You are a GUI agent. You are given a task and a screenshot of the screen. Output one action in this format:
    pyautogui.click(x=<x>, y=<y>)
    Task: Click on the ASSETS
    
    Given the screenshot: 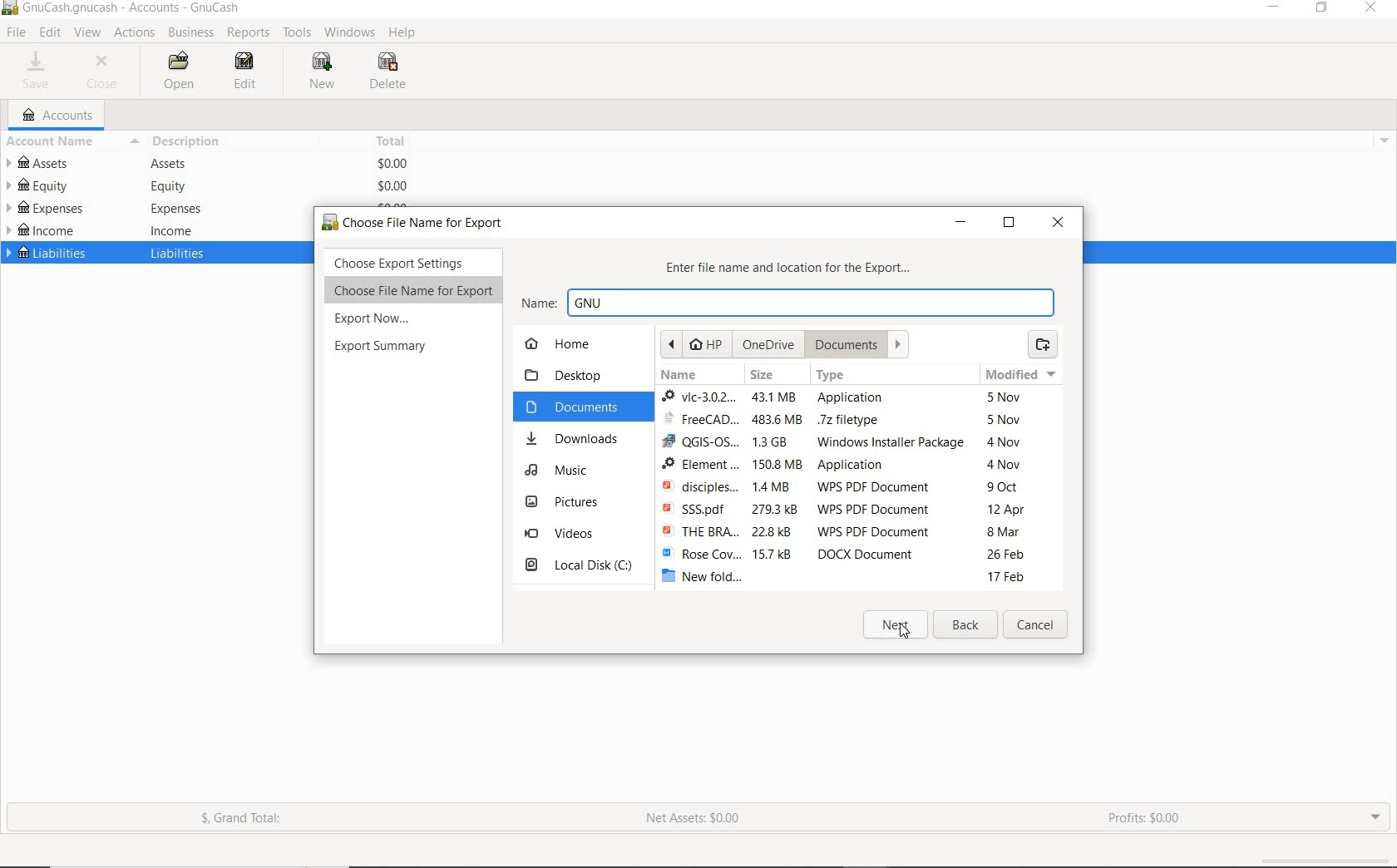 What is the action you would take?
    pyautogui.click(x=42, y=162)
    